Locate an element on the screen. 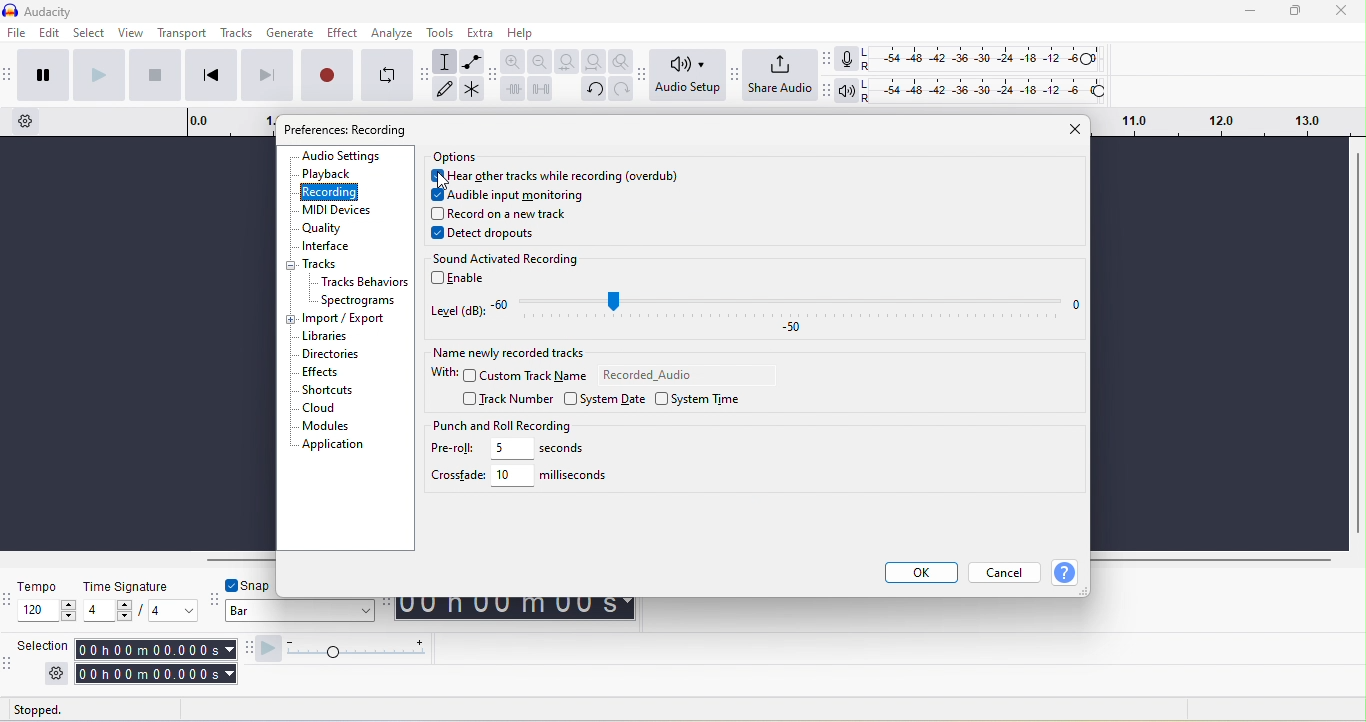 Image resolution: width=1366 pixels, height=722 pixels. edit is located at coordinates (49, 32).